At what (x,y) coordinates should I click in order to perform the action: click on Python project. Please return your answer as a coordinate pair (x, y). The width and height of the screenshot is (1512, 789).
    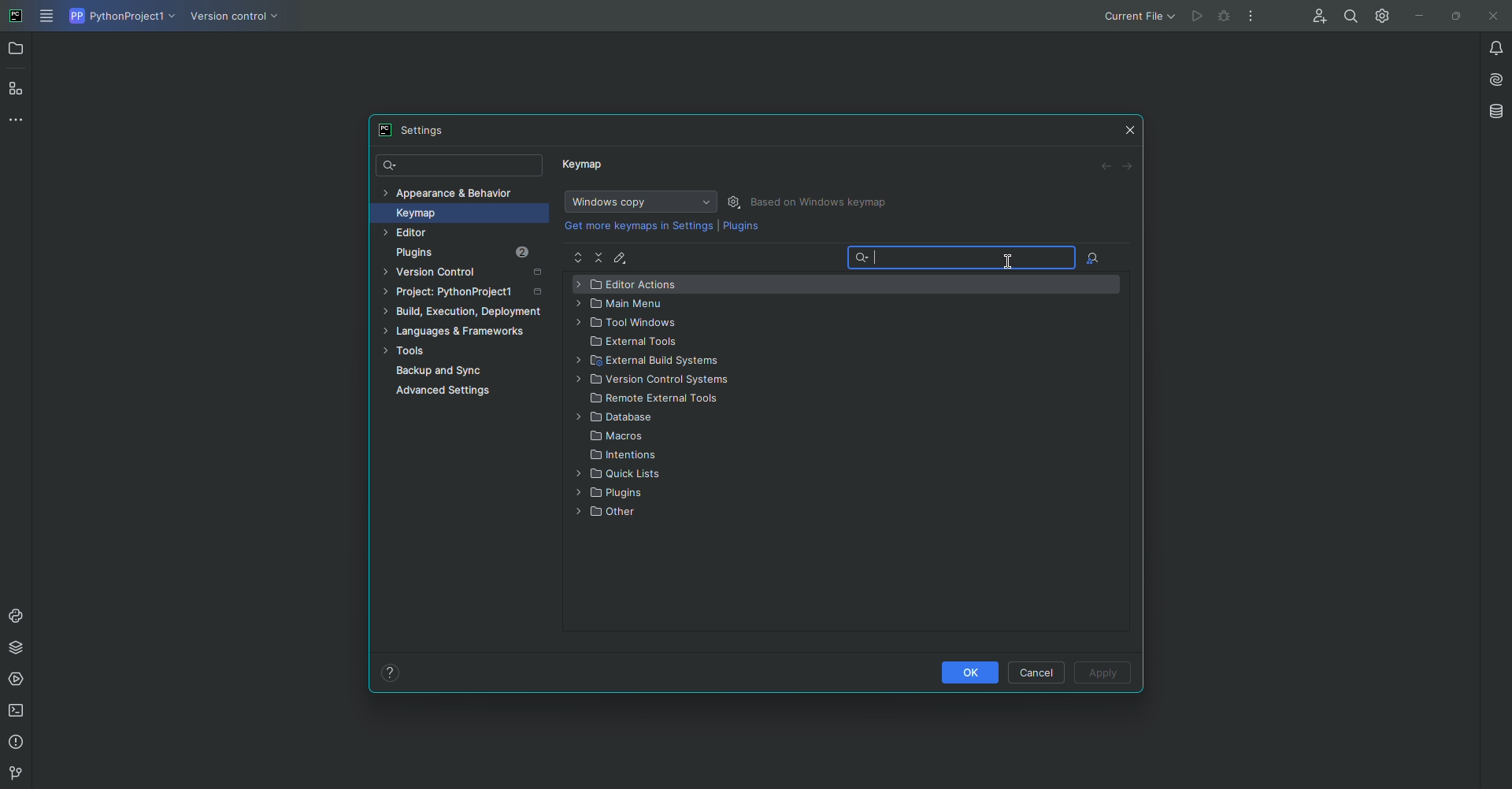
    Looking at the image, I should click on (120, 17).